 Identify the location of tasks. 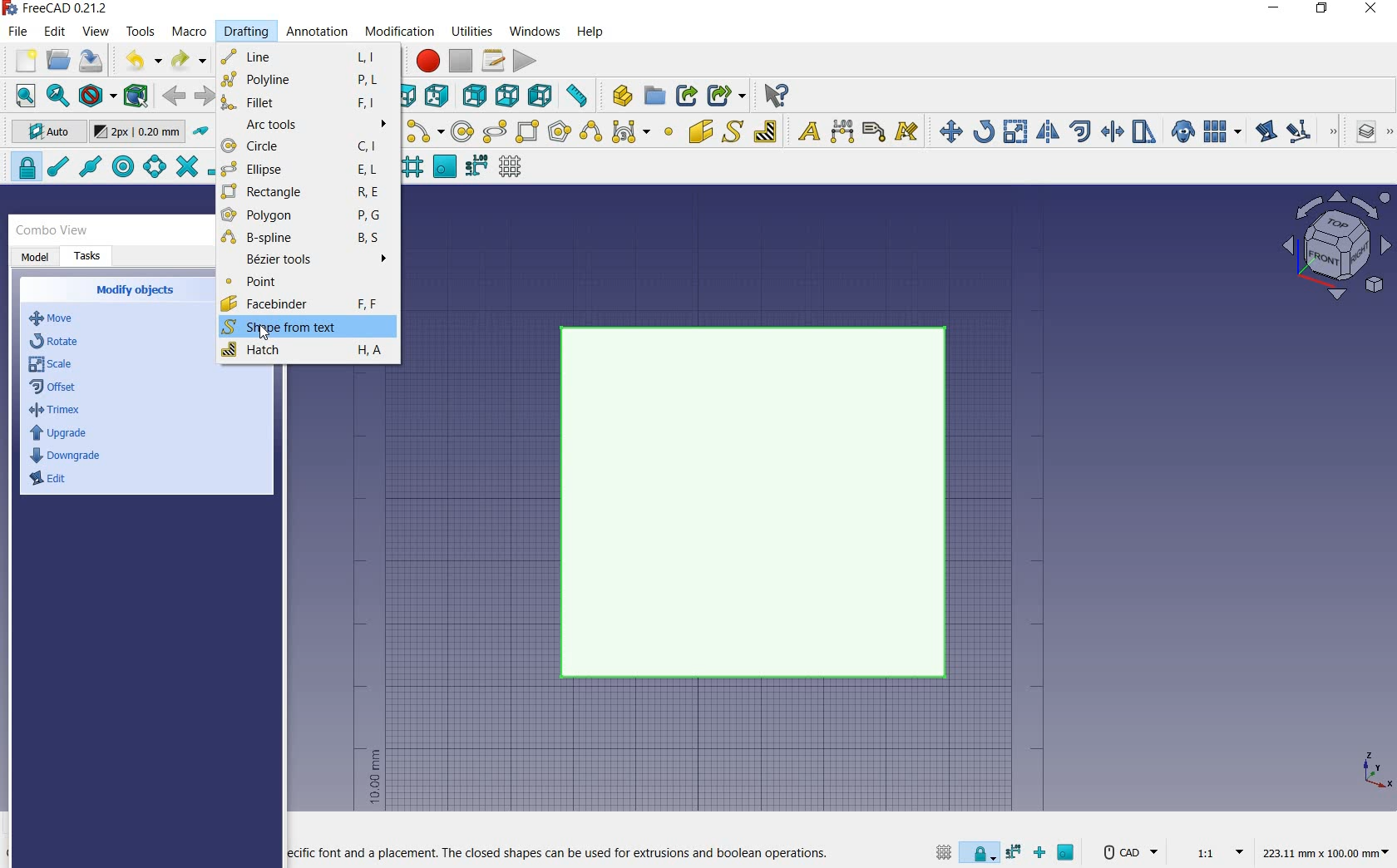
(89, 257).